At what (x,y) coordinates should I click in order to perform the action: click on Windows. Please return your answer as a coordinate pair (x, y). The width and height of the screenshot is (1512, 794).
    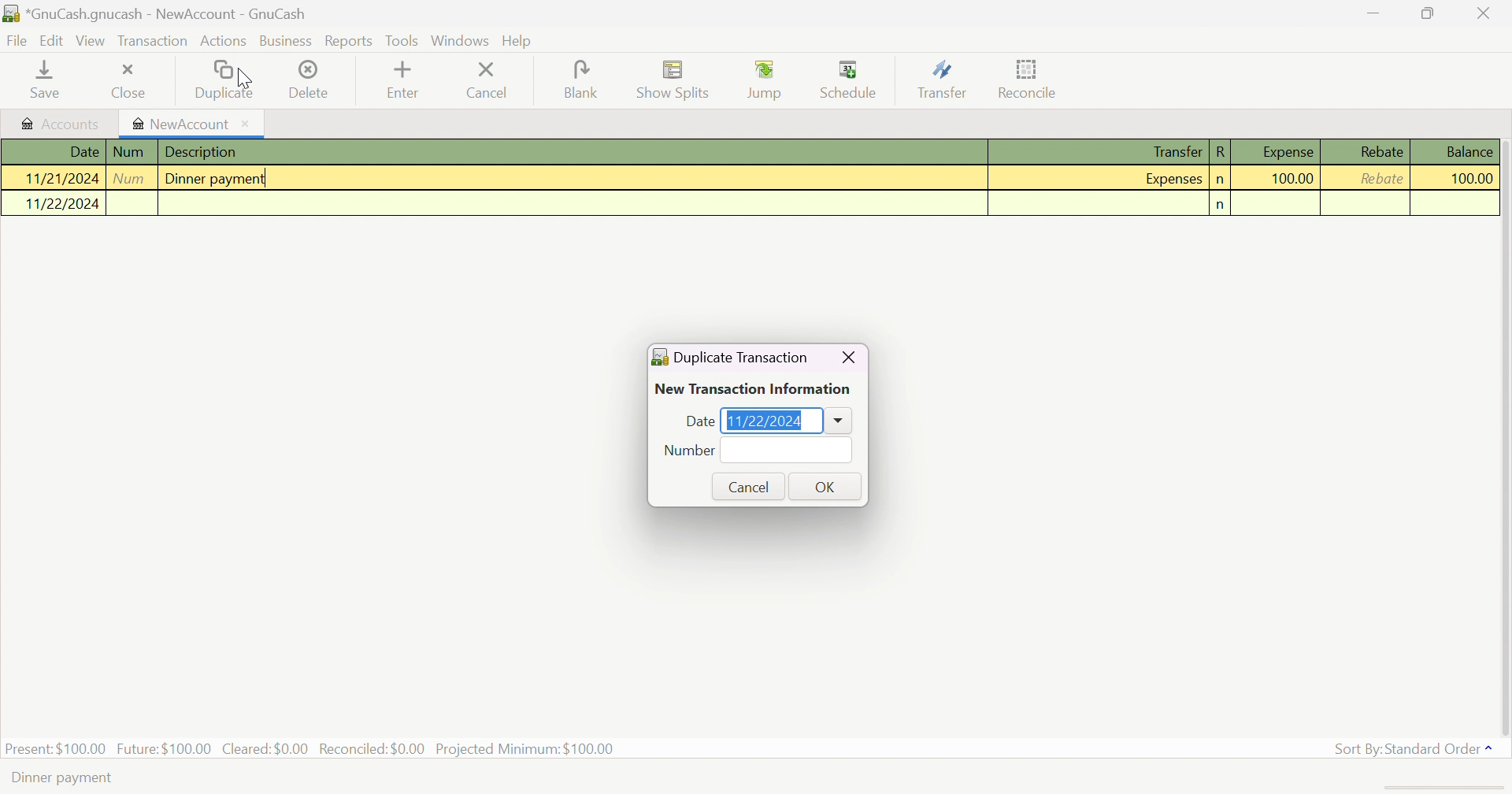
    Looking at the image, I should click on (462, 42).